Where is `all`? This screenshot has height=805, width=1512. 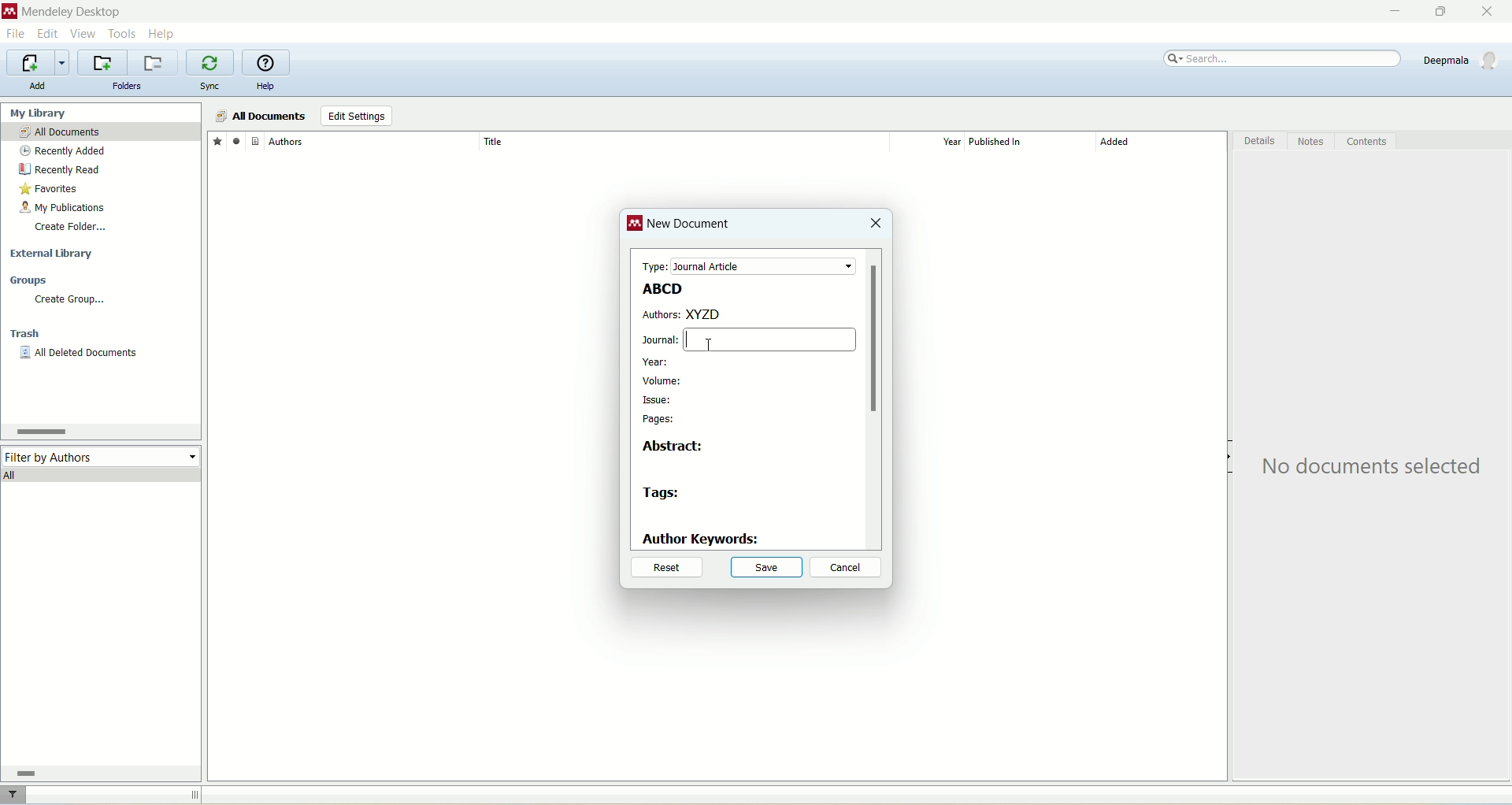
all is located at coordinates (102, 474).